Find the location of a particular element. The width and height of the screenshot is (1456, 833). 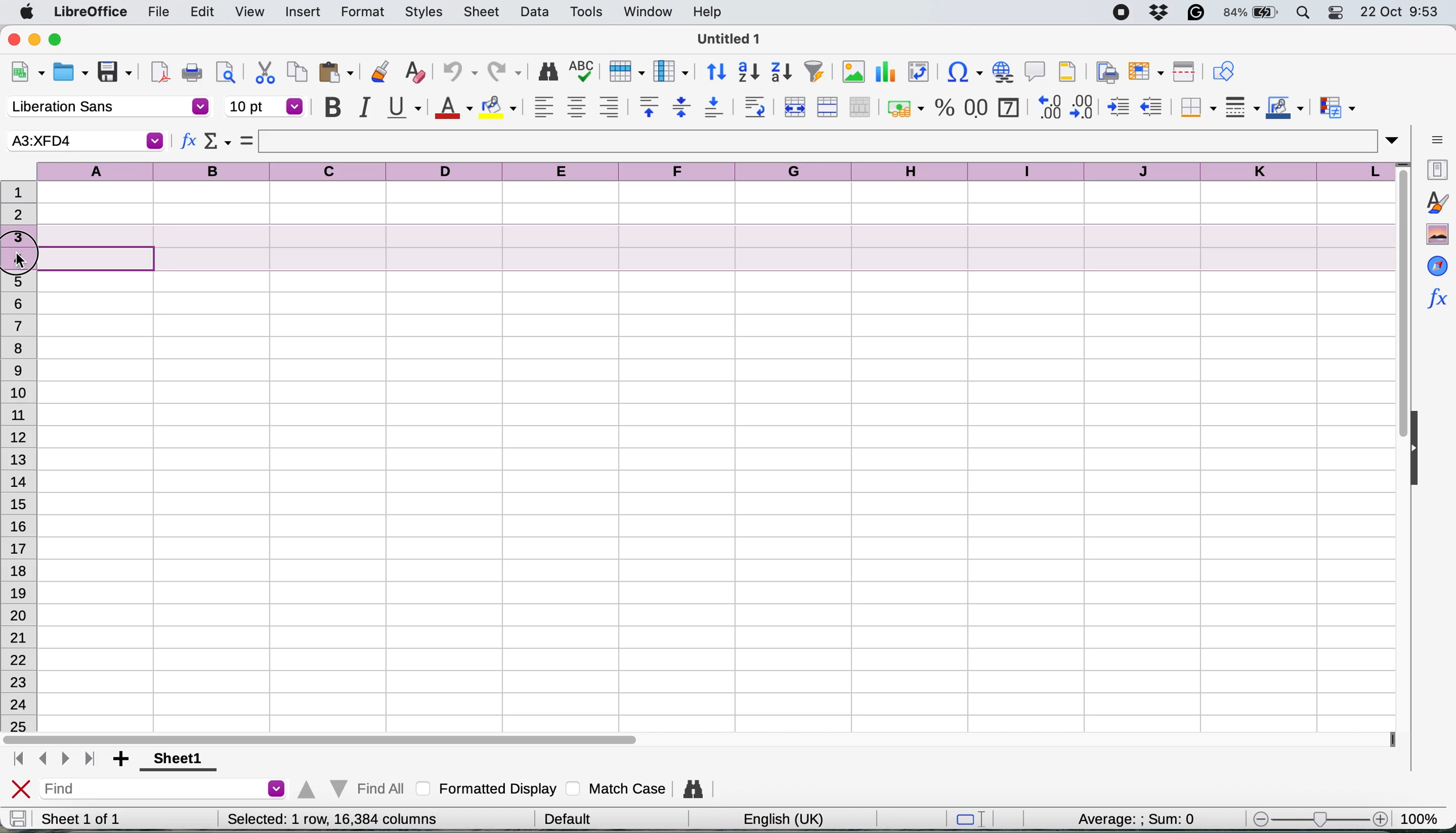

bold is located at coordinates (332, 108).